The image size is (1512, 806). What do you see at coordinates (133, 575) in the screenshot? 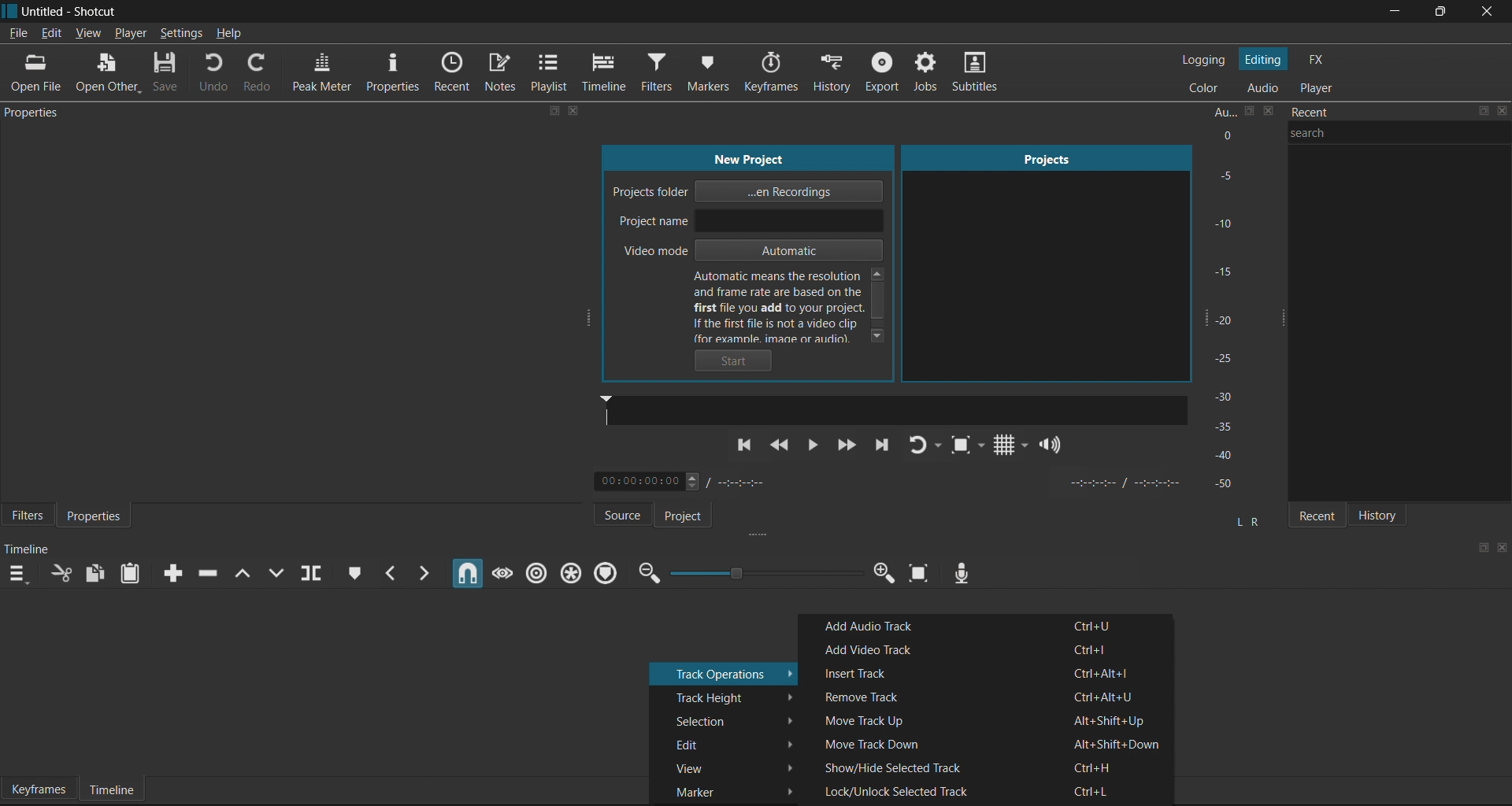
I see `Paste` at bounding box center [133, 575].